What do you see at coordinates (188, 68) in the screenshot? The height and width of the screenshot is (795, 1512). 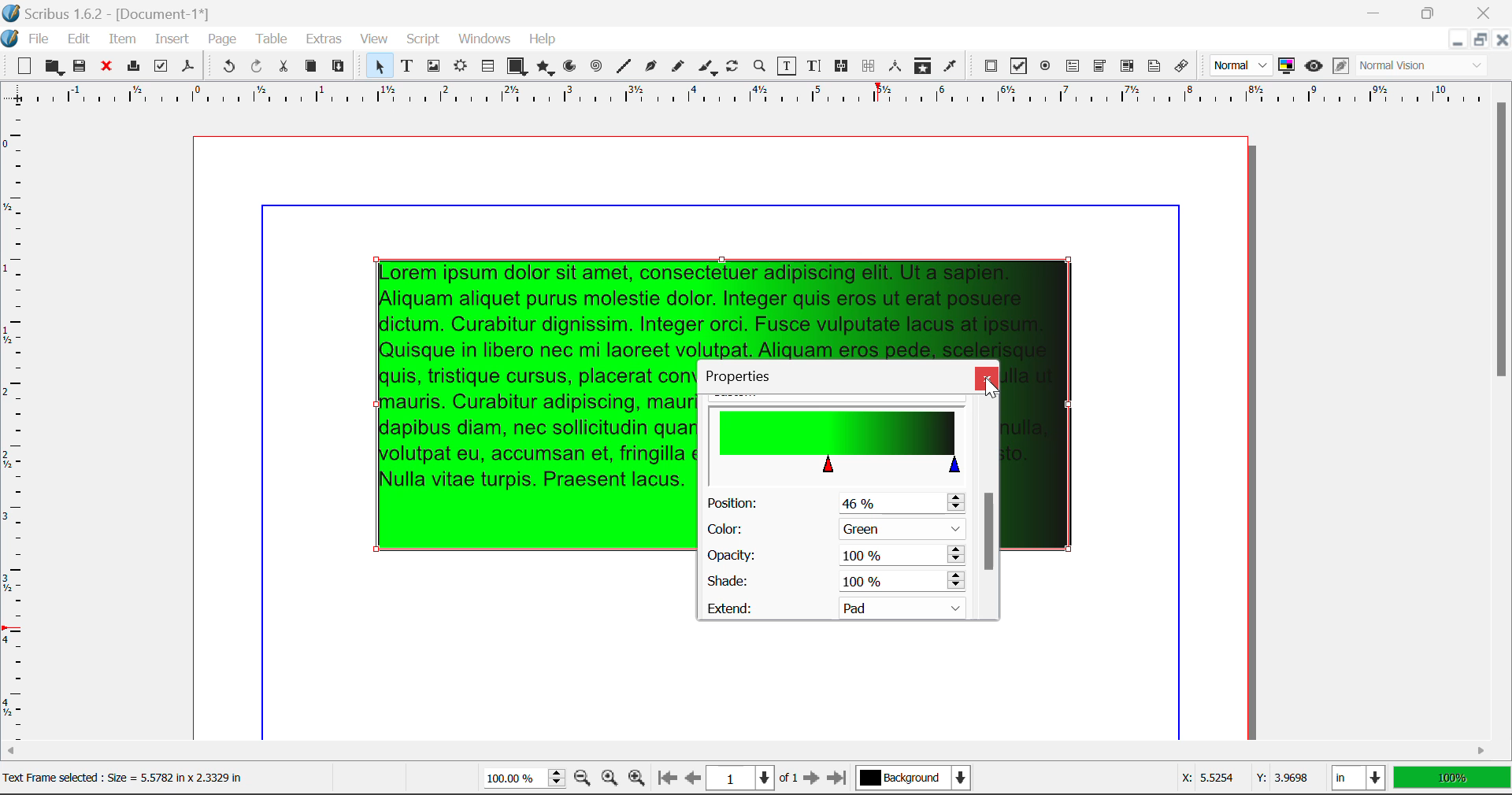 I see `Save as Pdf` at bounding box center [188, 68].